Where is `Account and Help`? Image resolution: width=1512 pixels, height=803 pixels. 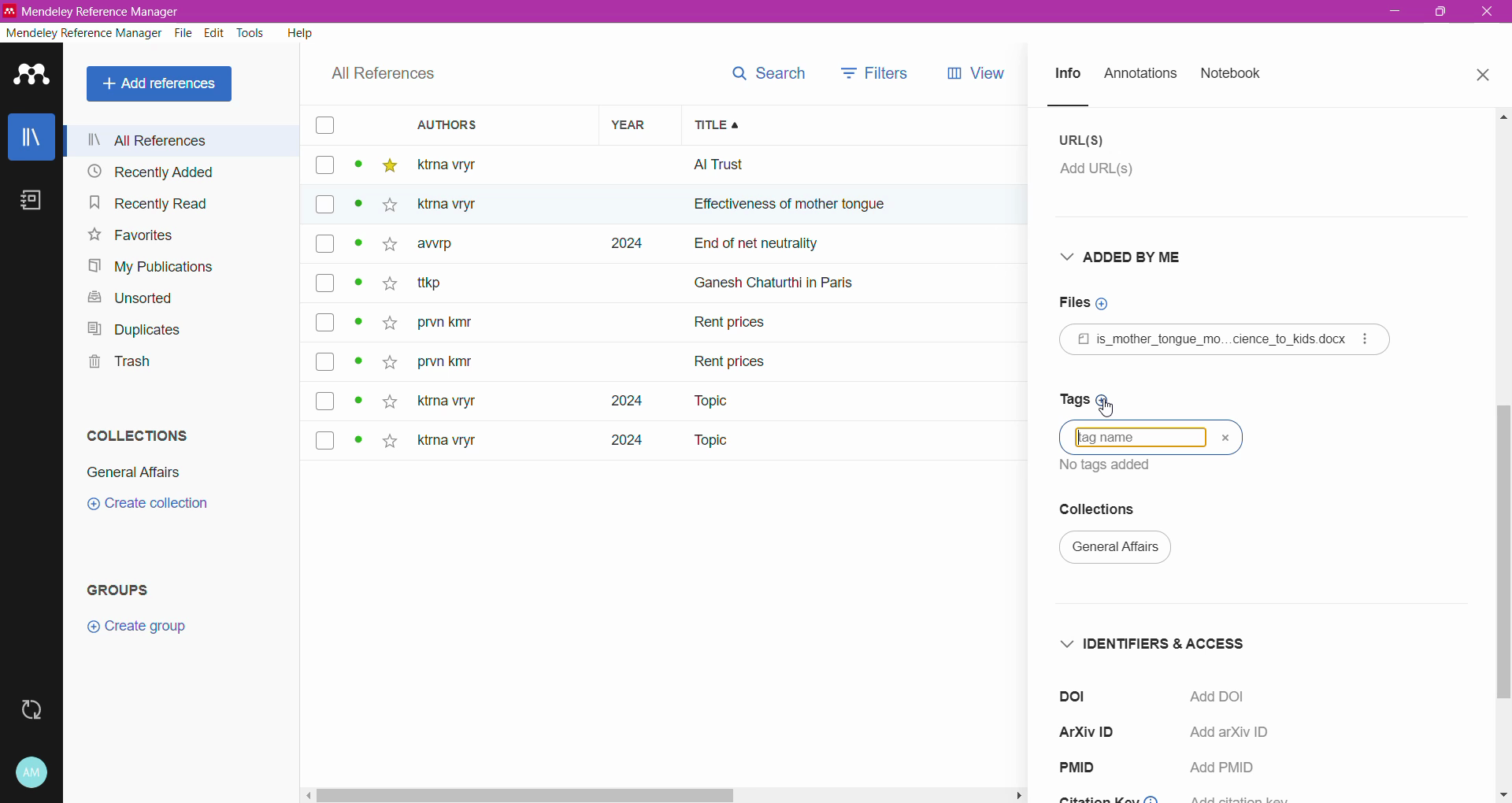 Account and Help is located at coordinates (32, 773).